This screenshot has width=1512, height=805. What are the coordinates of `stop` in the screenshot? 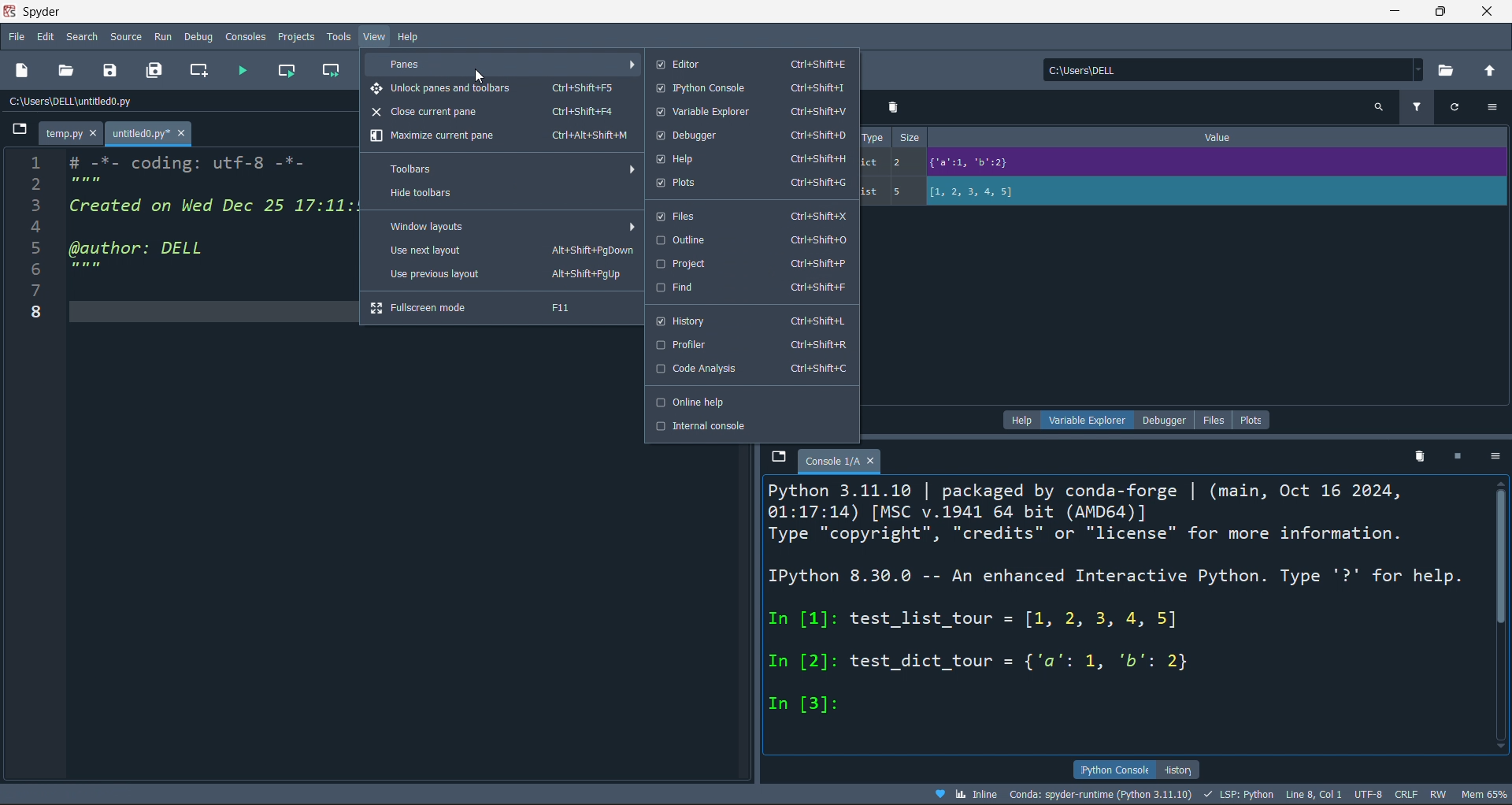 It's located at (1464, 456).